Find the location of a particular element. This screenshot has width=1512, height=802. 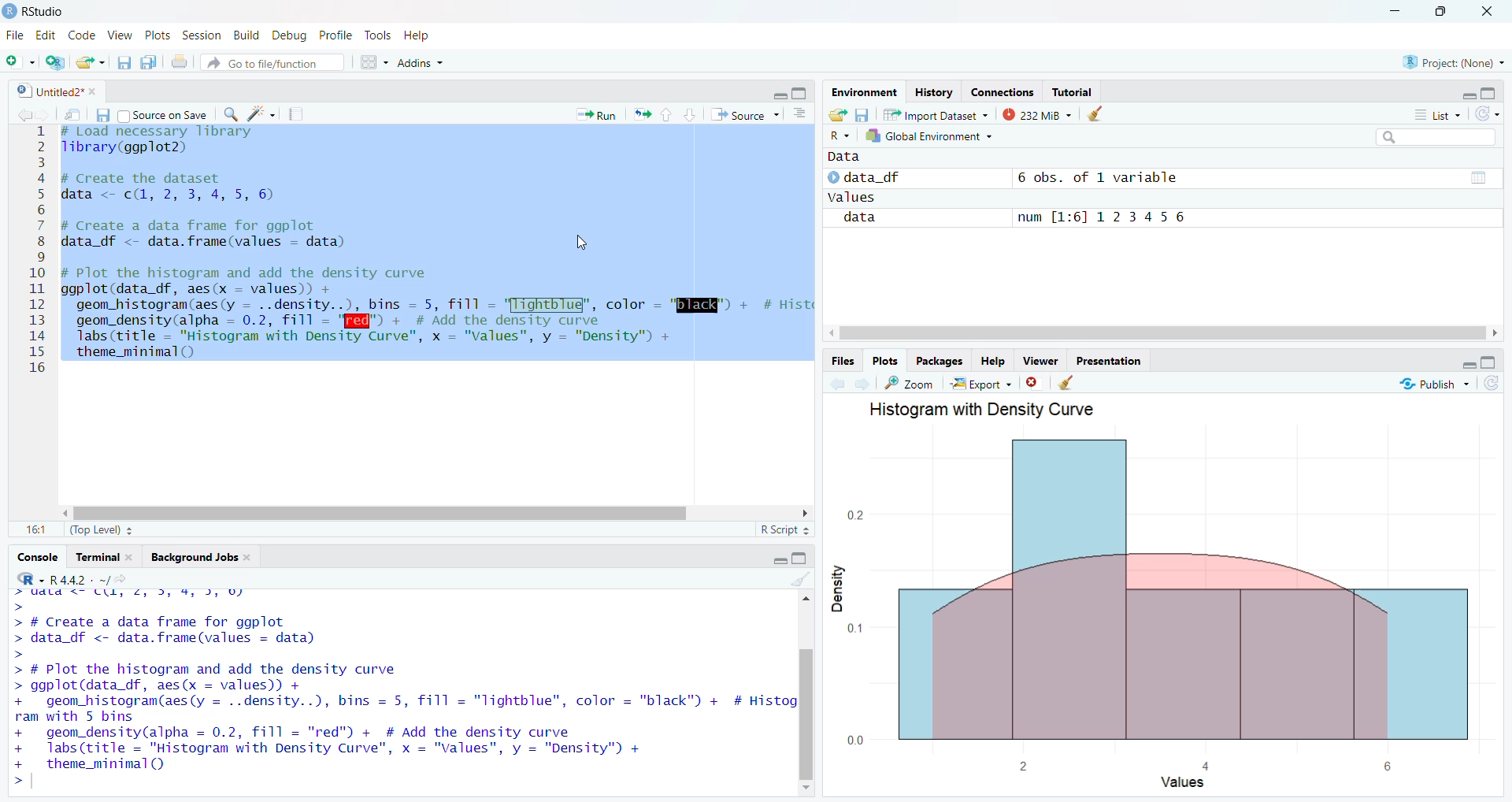

show in new window is located at coordinates (72, 114).